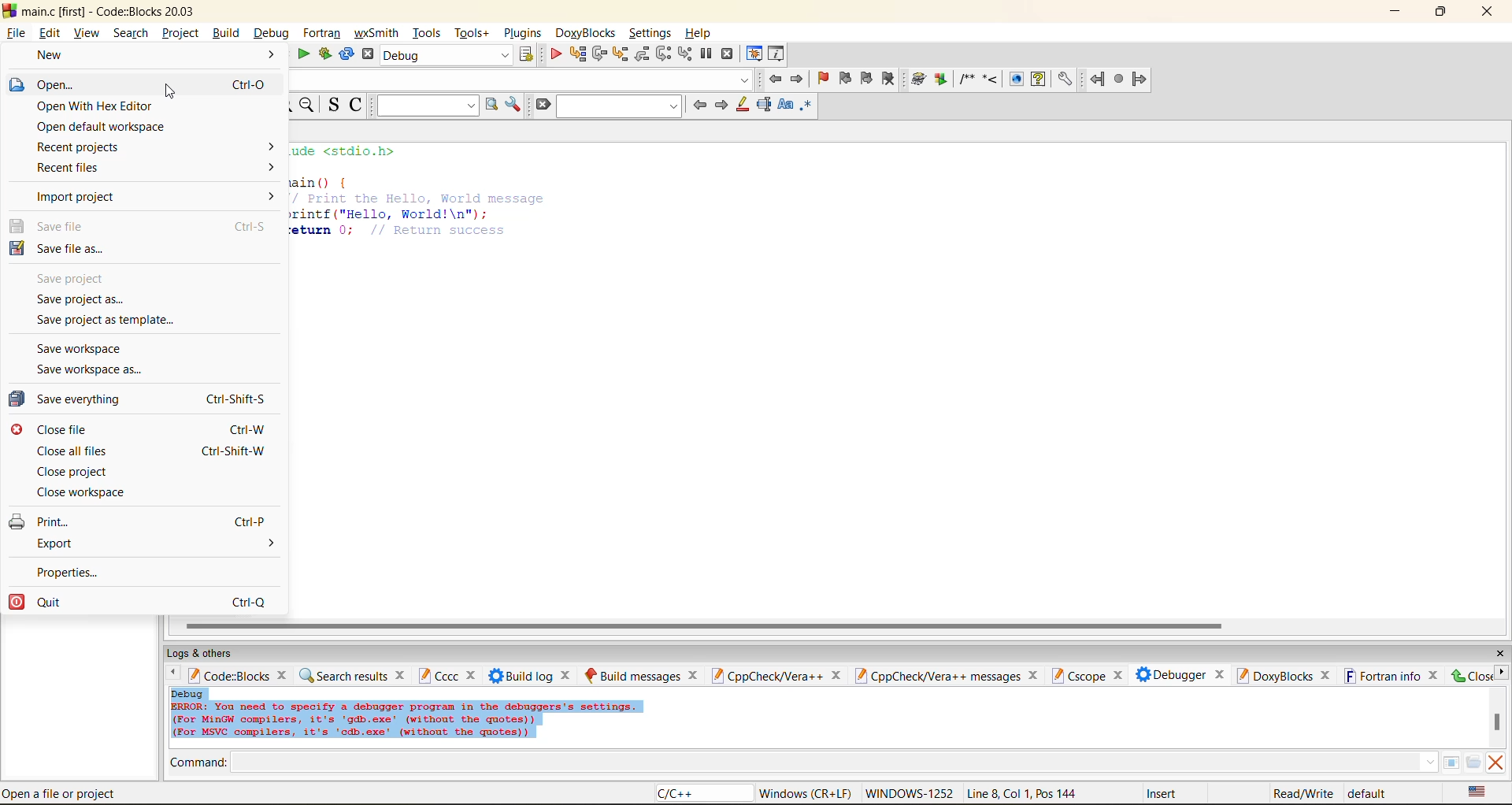 Image resolution: width=1512 pixels, height=805 pixels. I want to click on export, so click(155, 544).